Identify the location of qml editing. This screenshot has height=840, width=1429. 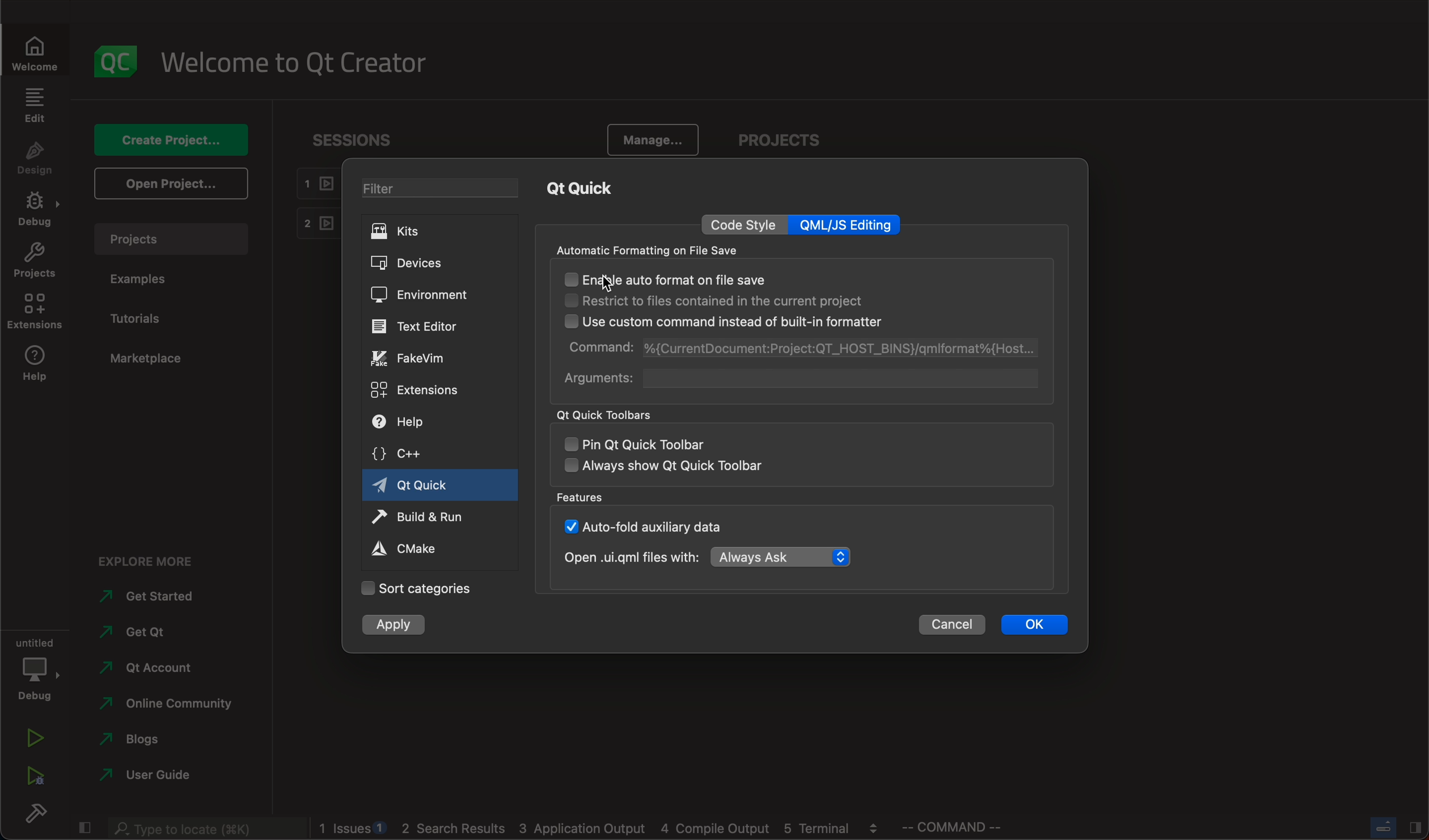
(842, 224).